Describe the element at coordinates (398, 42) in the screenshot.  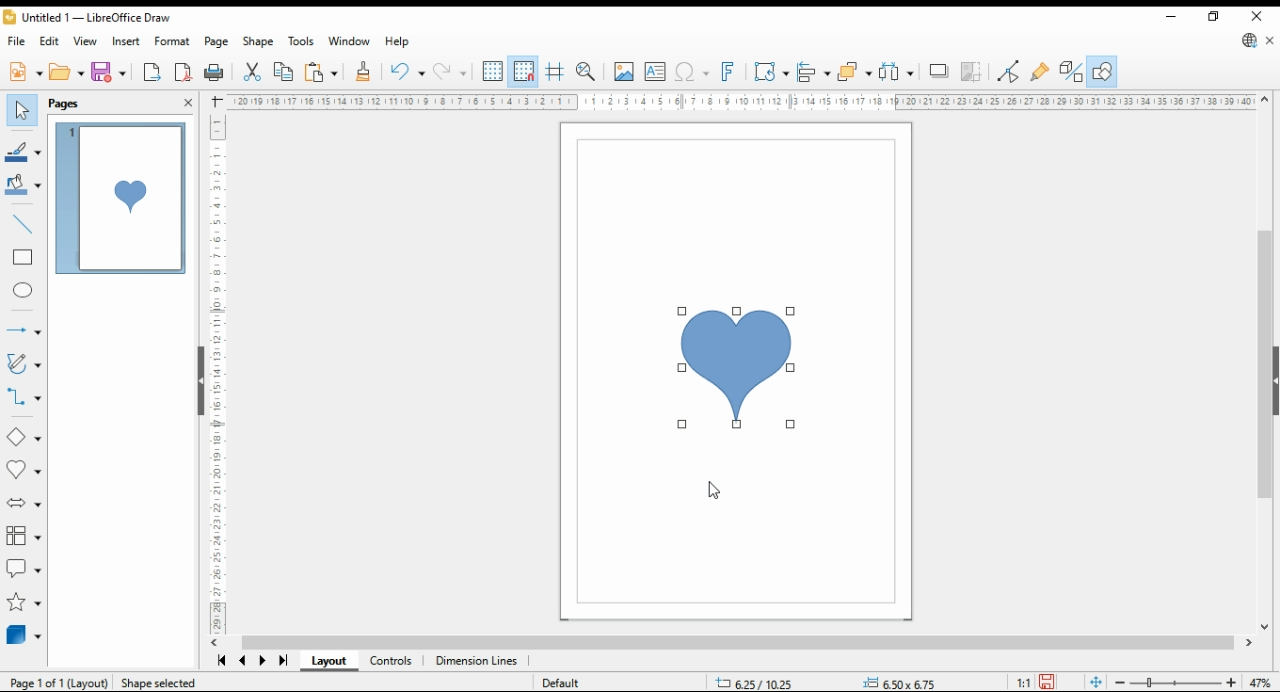
I see `help` at that location.